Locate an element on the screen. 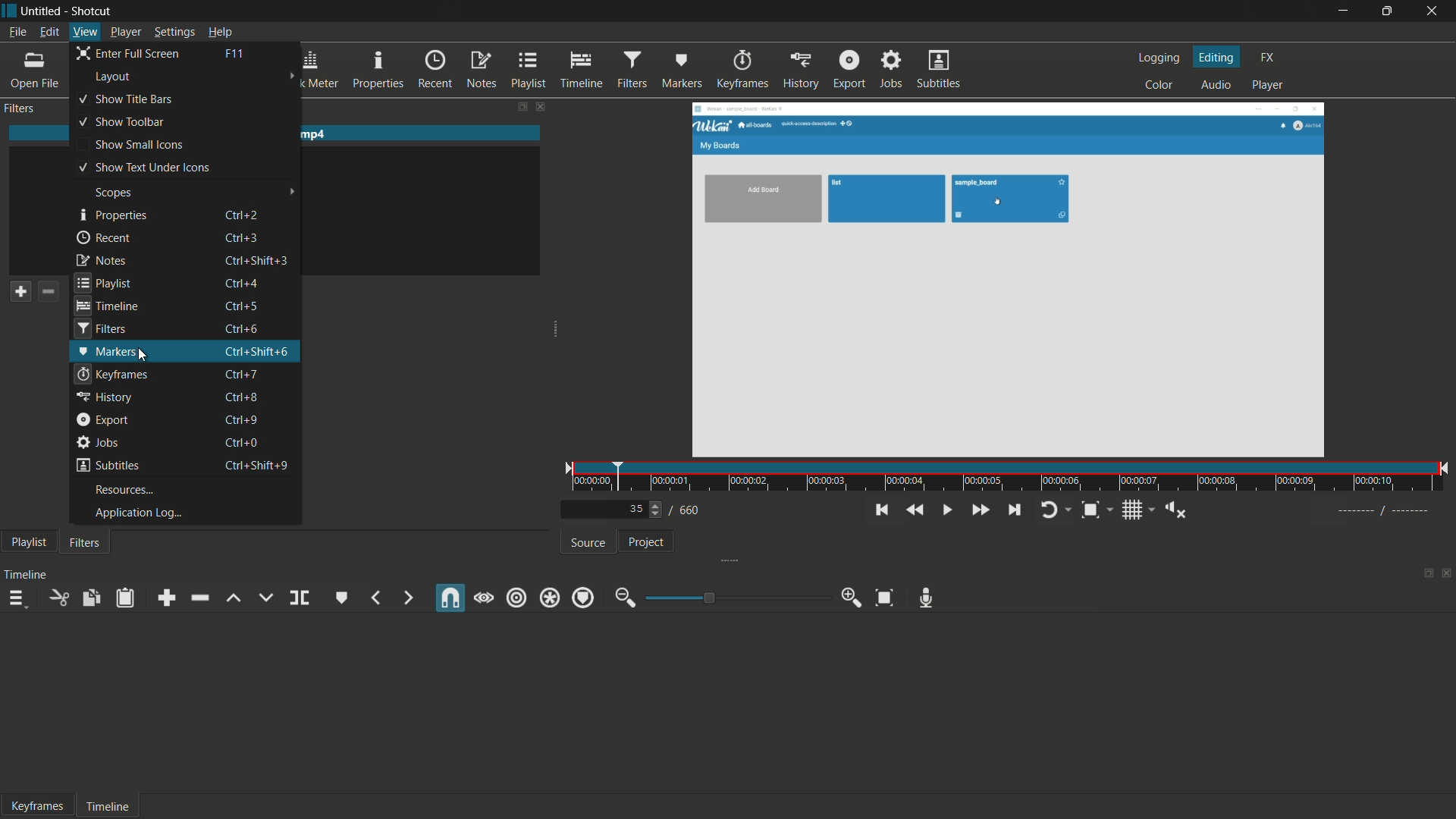 This screenshot has width=1456, height=819. keyboard shortcut is located at coordinates (242, 397).